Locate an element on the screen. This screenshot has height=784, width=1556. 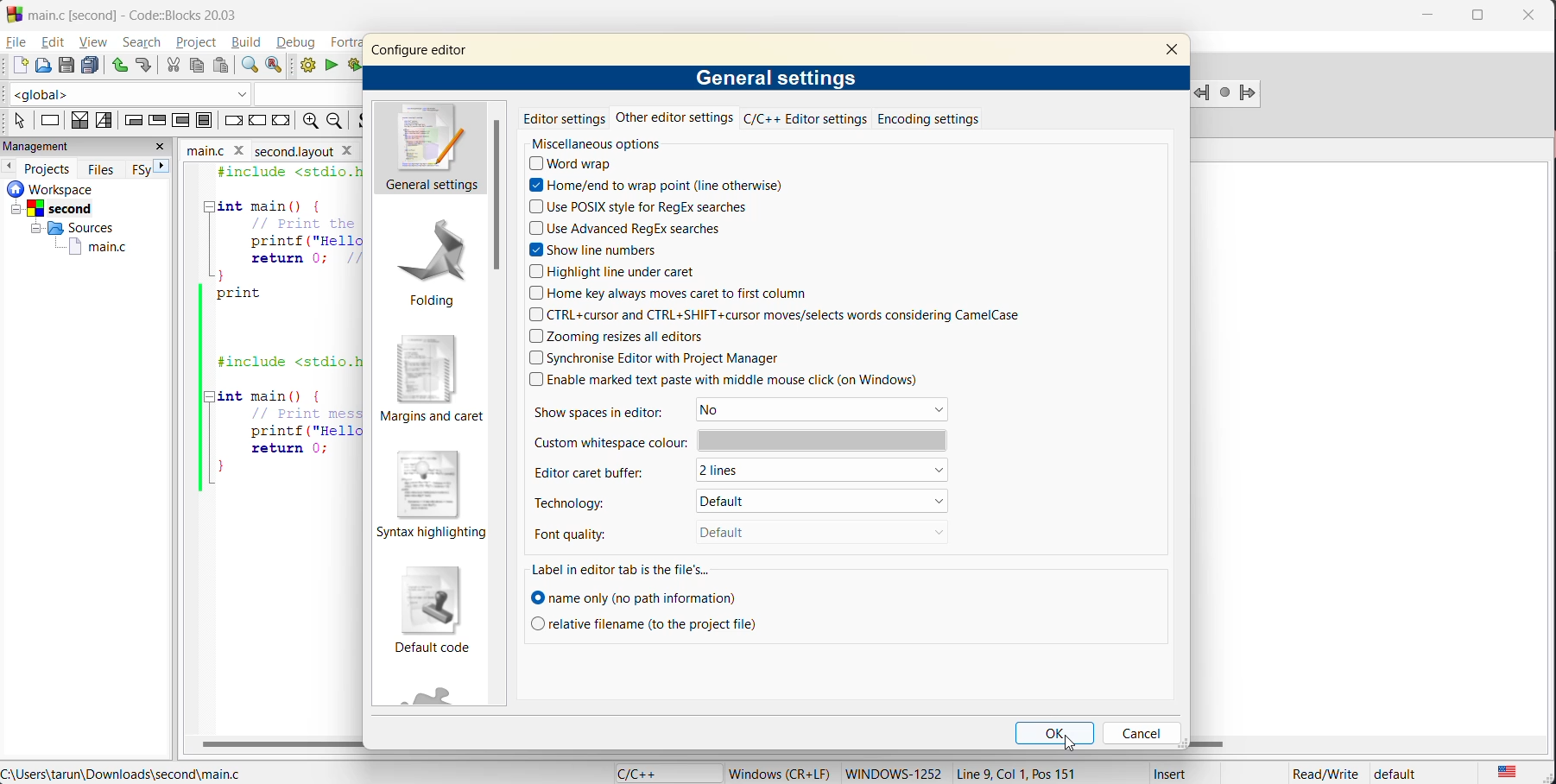
continue instruction is located at coordinates (259, 120).